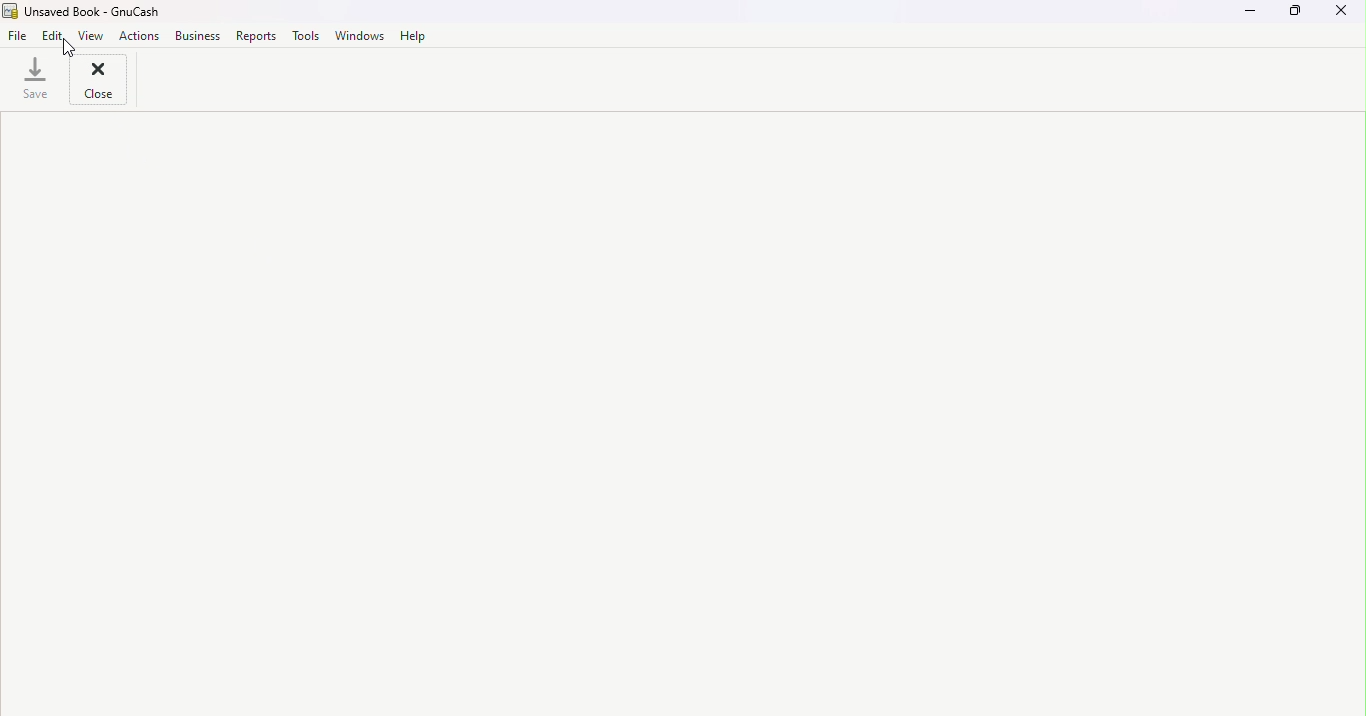  I want to click on Report, so click(258, 36).